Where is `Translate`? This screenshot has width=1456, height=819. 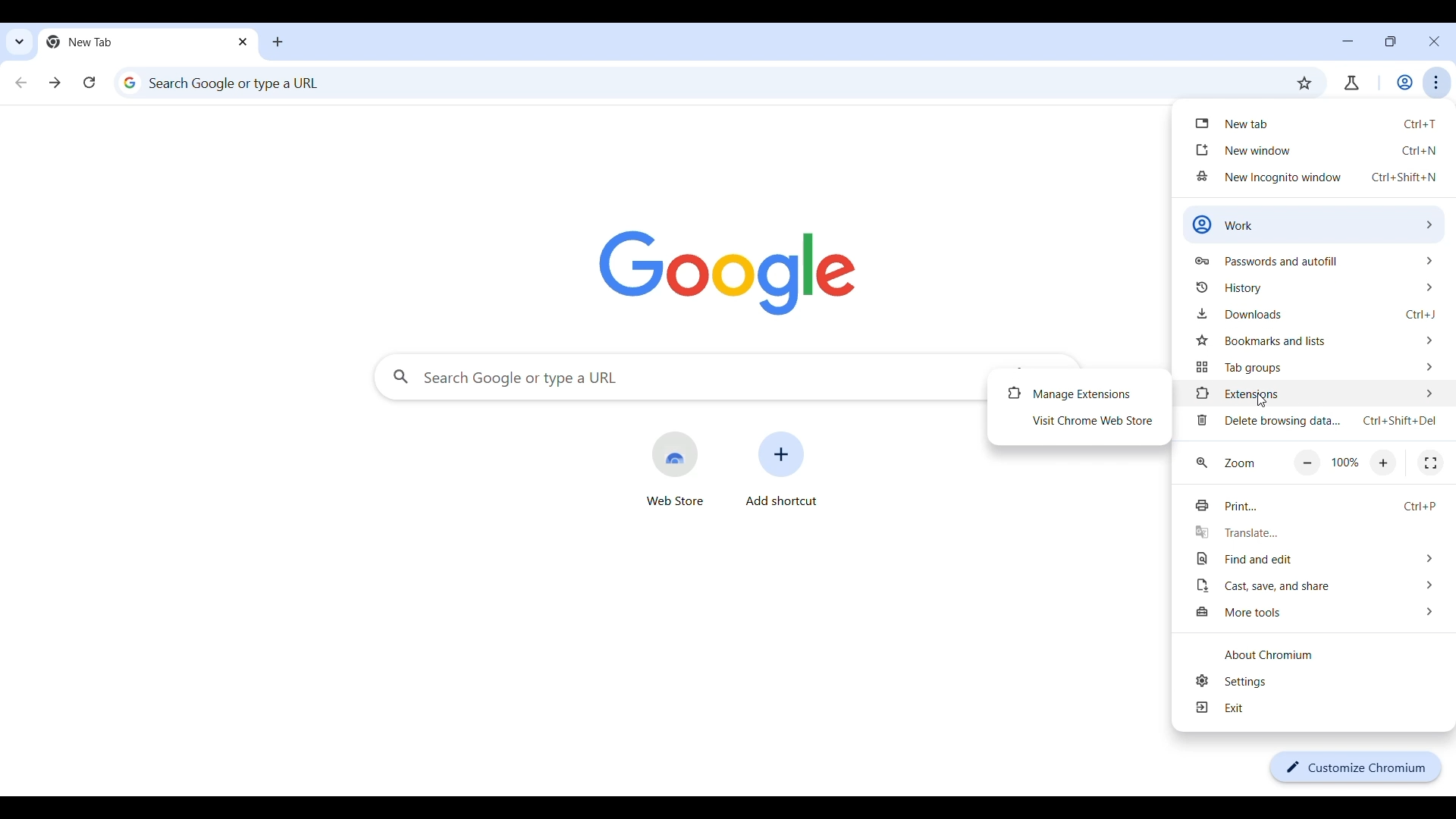
Translate is located at coordinates (1317, 532).